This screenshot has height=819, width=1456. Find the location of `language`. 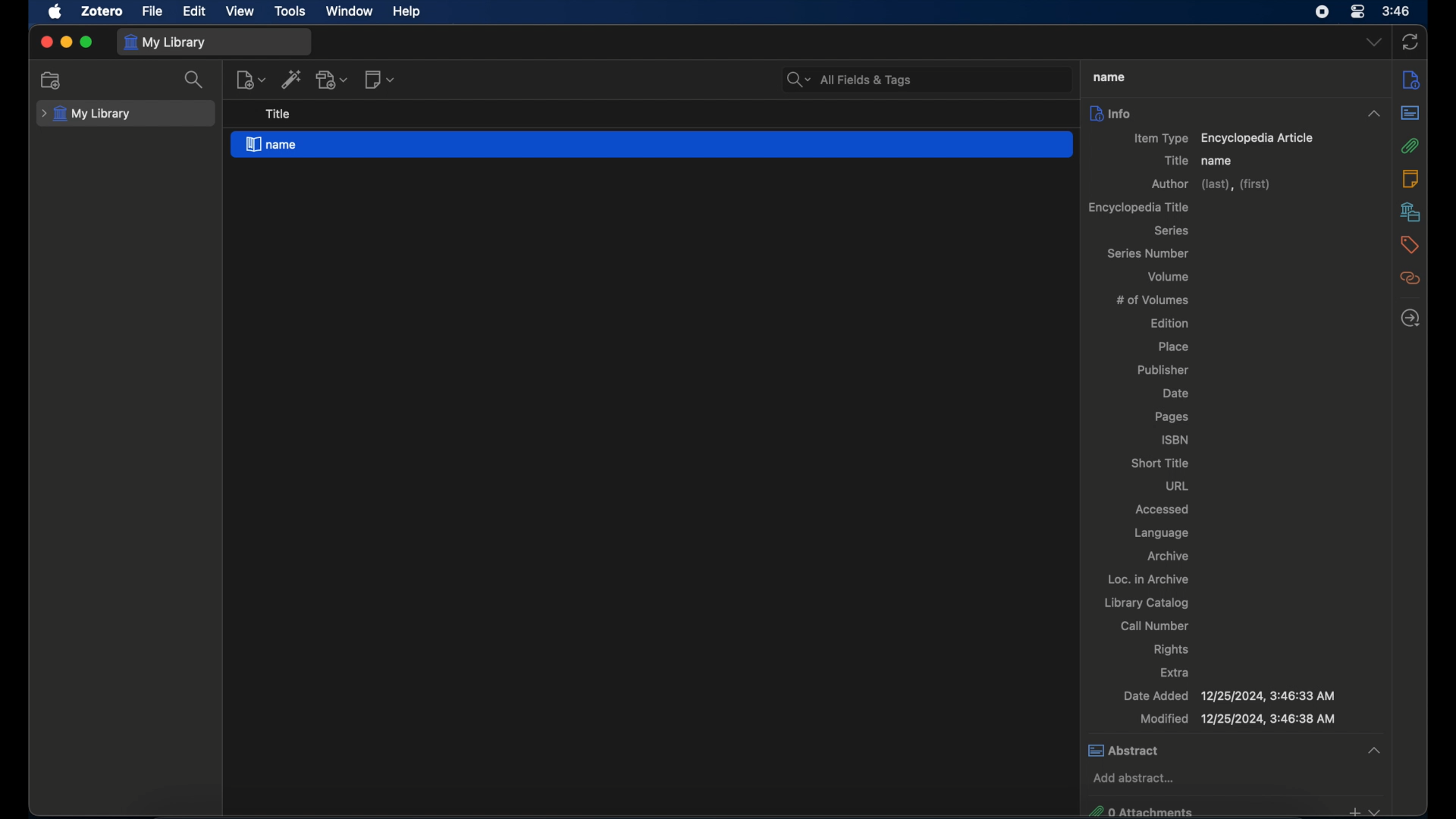

language is located at coordinates (1161, 533).